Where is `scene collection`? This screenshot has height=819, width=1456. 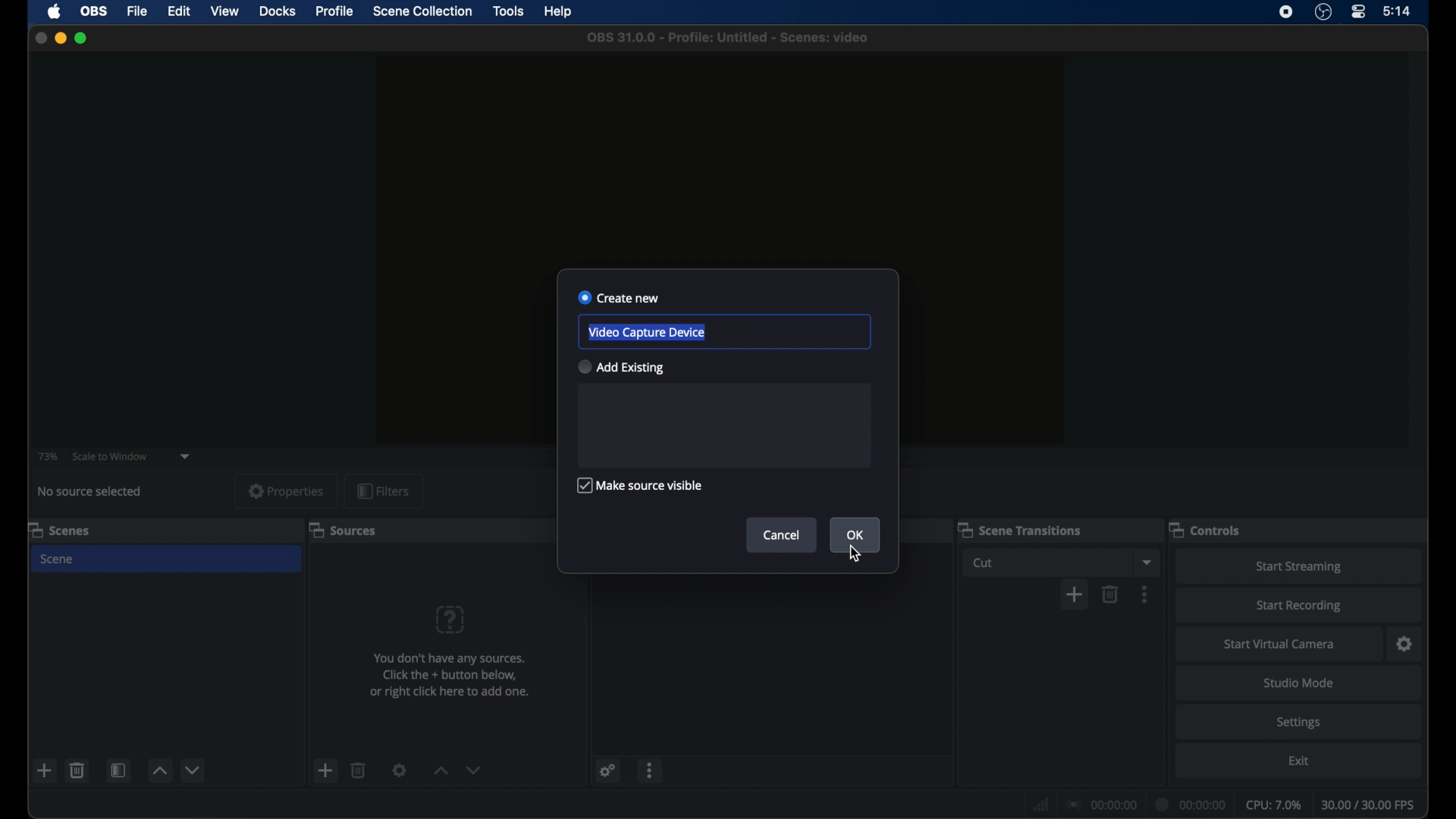 scene collection is located at coordinates (422, 11).